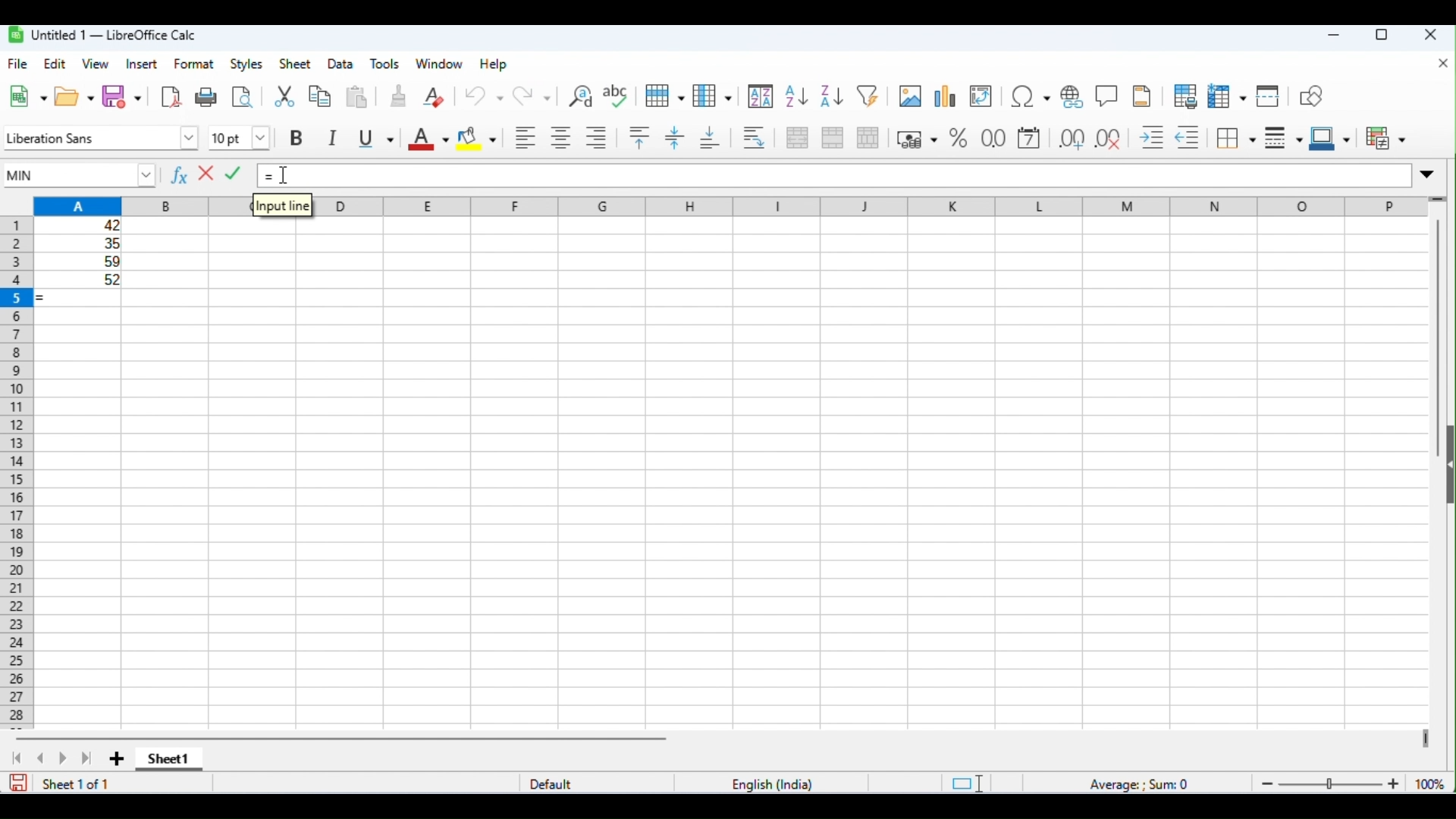  Describe the element at coordinates (346, 739) in the screenshot. I see `horizontal scroll bar` at that location.